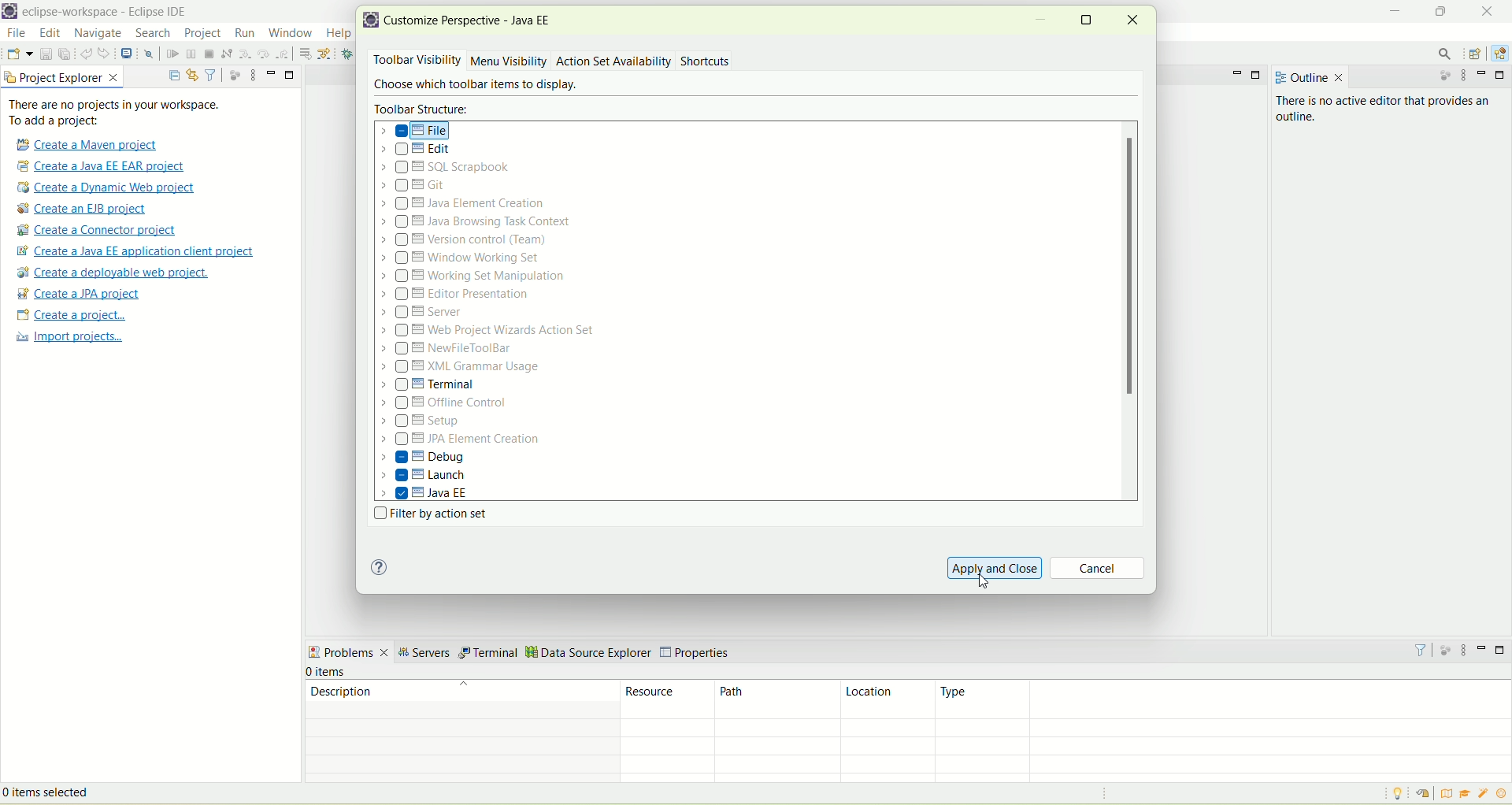 The image size is (1512, 805). What do you see at coordinates (588, 651) in the screenshot?
I see `data source explorer` at bounding box center [588, 651].